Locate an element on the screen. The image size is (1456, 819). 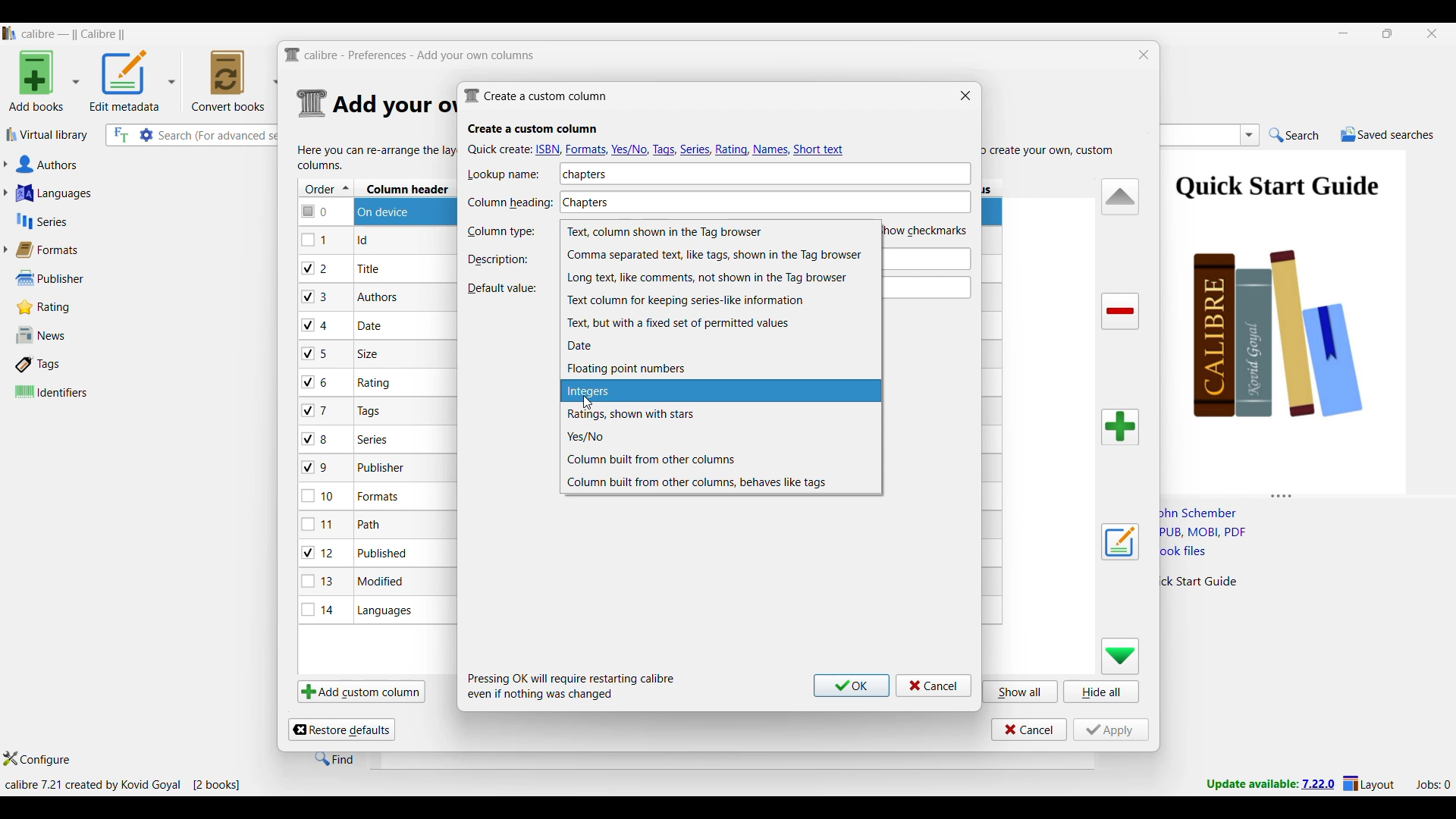
checkbox - 7 is located at coordinates (317, 410).